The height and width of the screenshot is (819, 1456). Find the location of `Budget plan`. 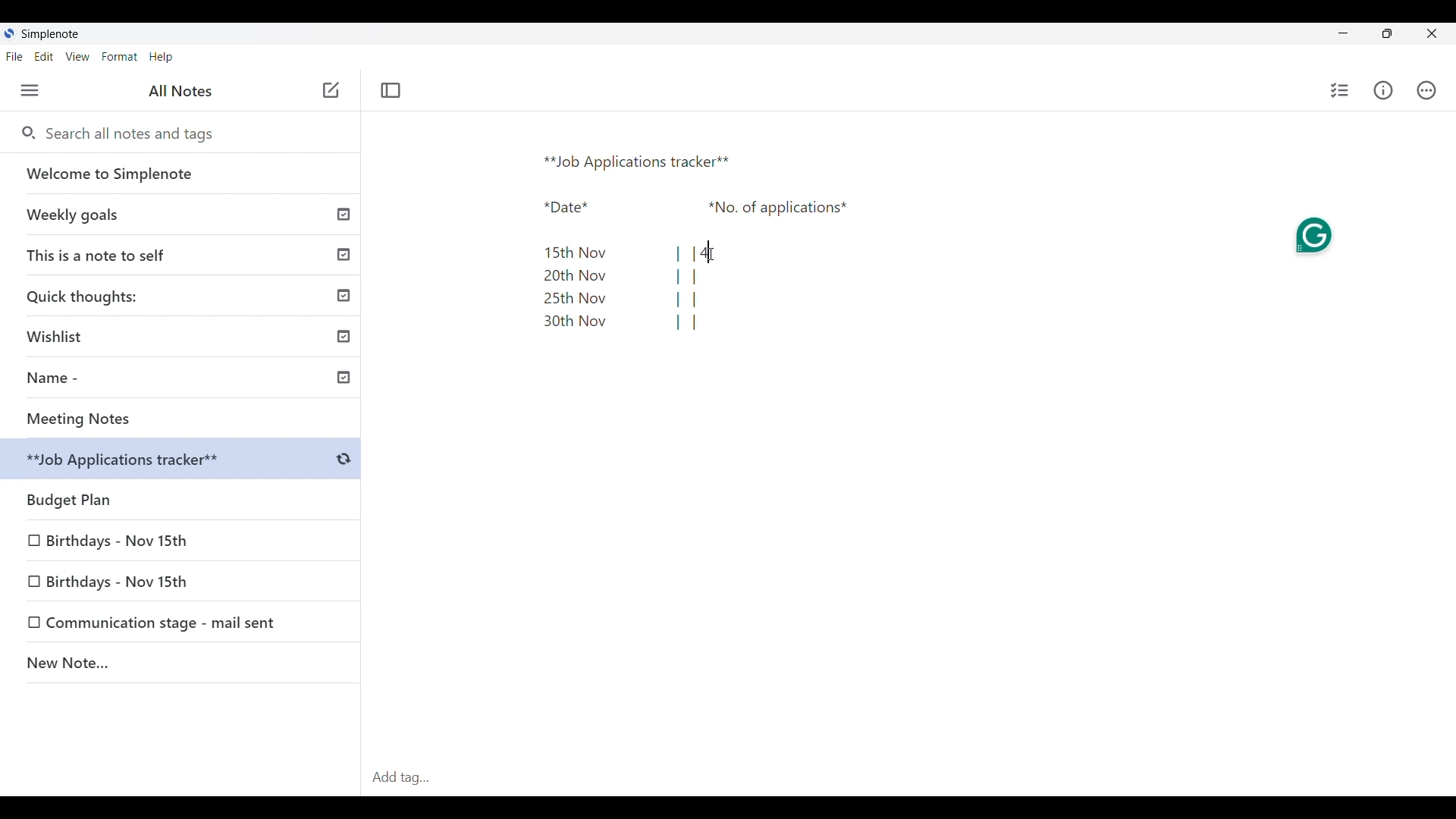

Budget plan is located at coordinates (182, 496).